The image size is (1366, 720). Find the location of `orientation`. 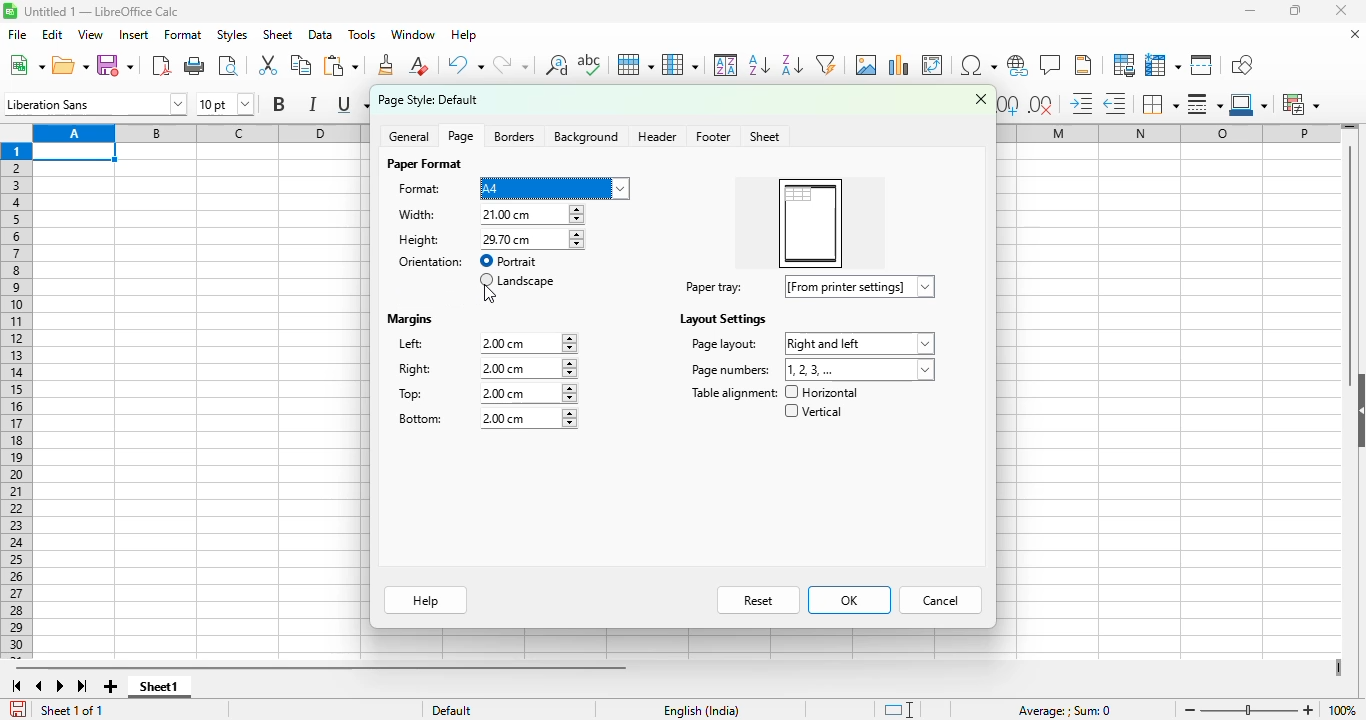

orientation is located at coordinates (432, 262).